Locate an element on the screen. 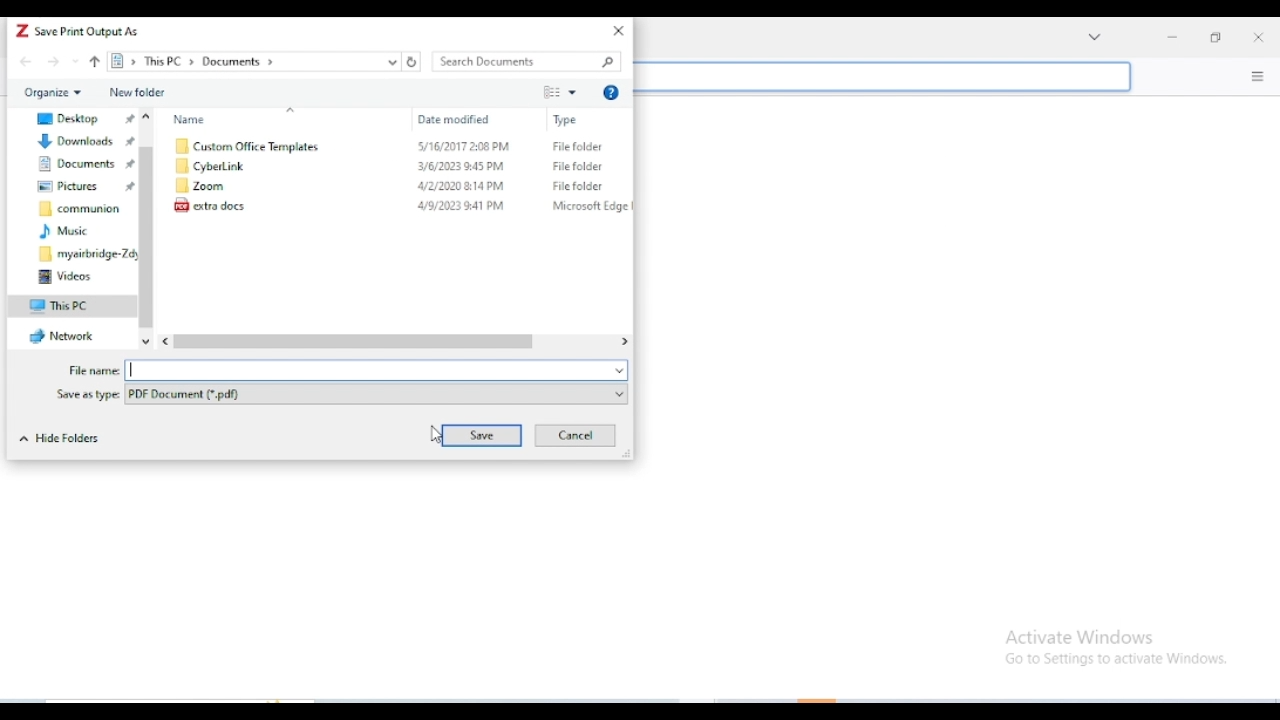 Image resolution: width=1280 pixels, height=720 pixels. Go to Settings to activate Windows. is located at coordinates (1119, 660).